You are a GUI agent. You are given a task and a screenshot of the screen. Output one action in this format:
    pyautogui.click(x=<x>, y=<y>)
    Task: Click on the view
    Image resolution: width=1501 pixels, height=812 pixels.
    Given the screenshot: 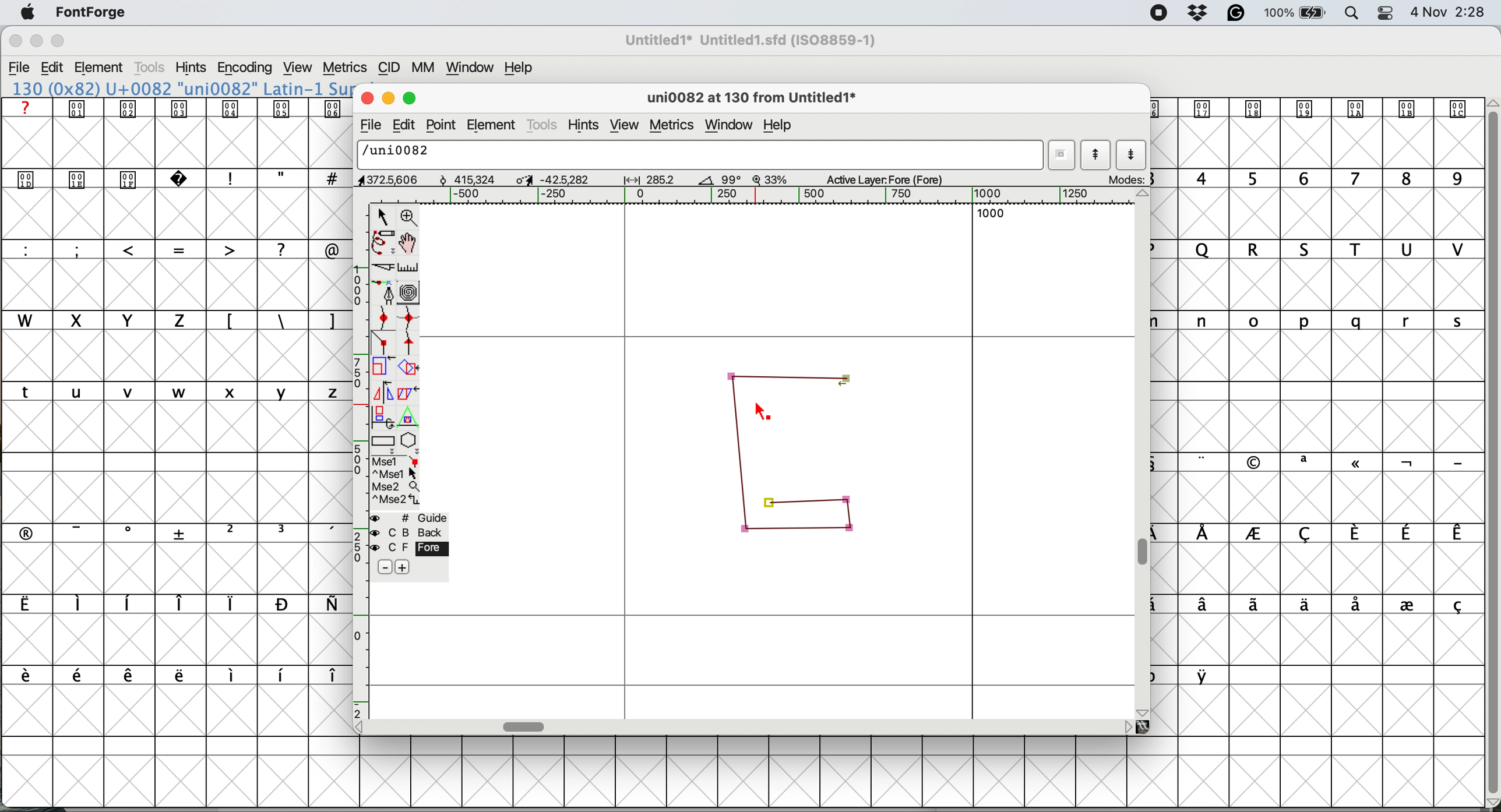 What is the action you would take?
    pyautogui.click(x=300, y=68)
    